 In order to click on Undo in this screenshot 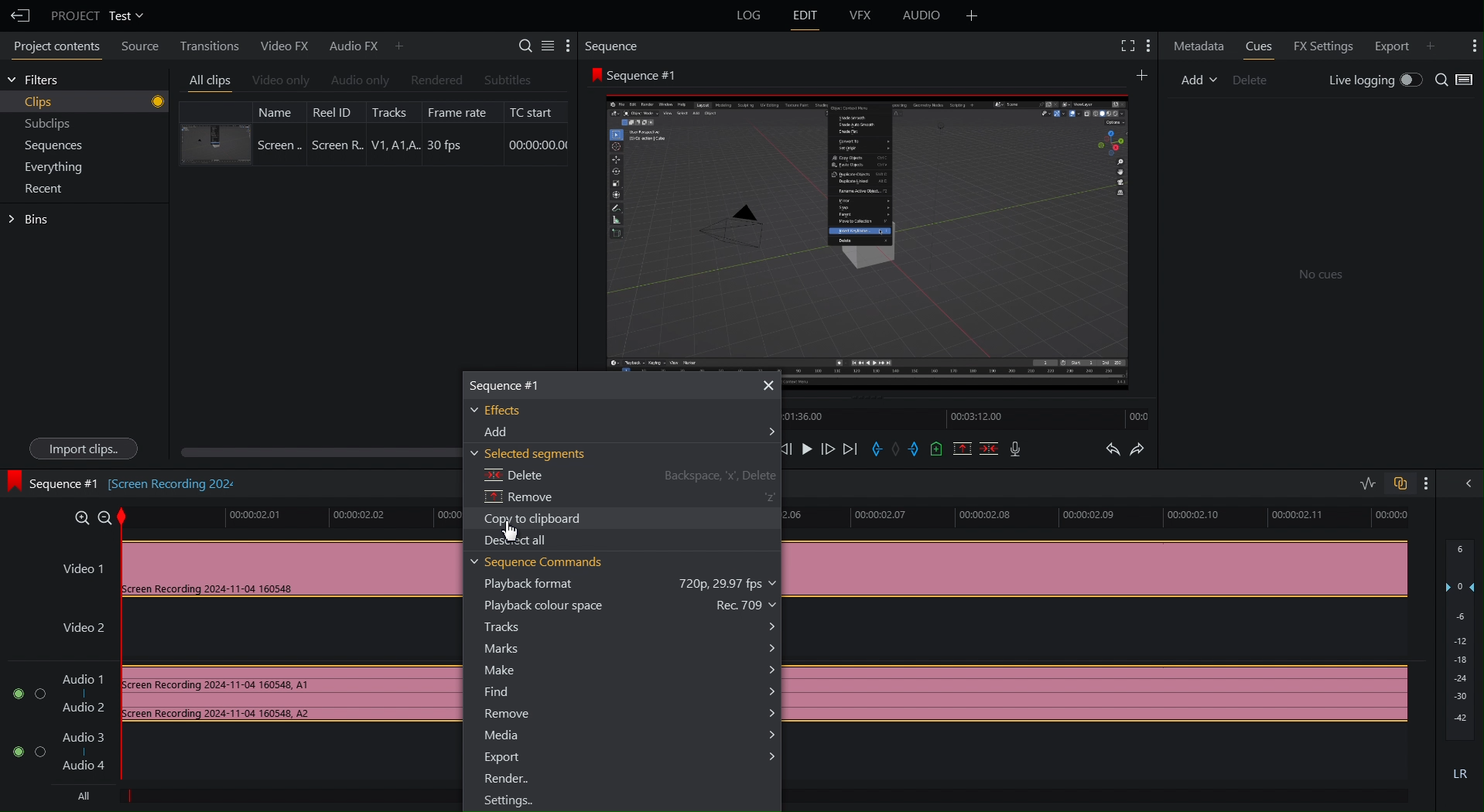, I will do `click(1112, 450)`.